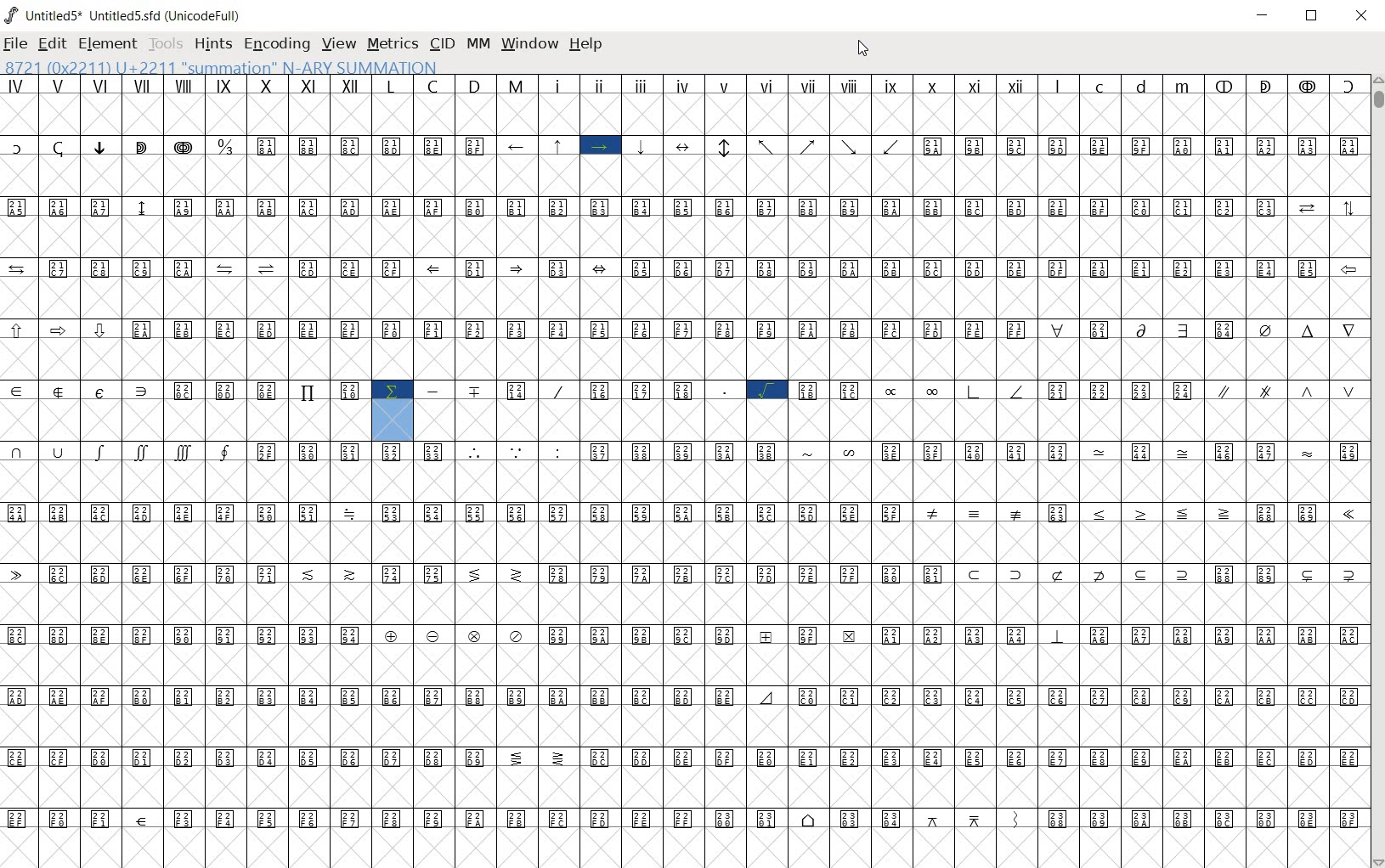 The width and height of the screenshot is (1385, 868). Describe the element at coordinates (687, 757) in the screenshot. I see `special symbols` at that location.